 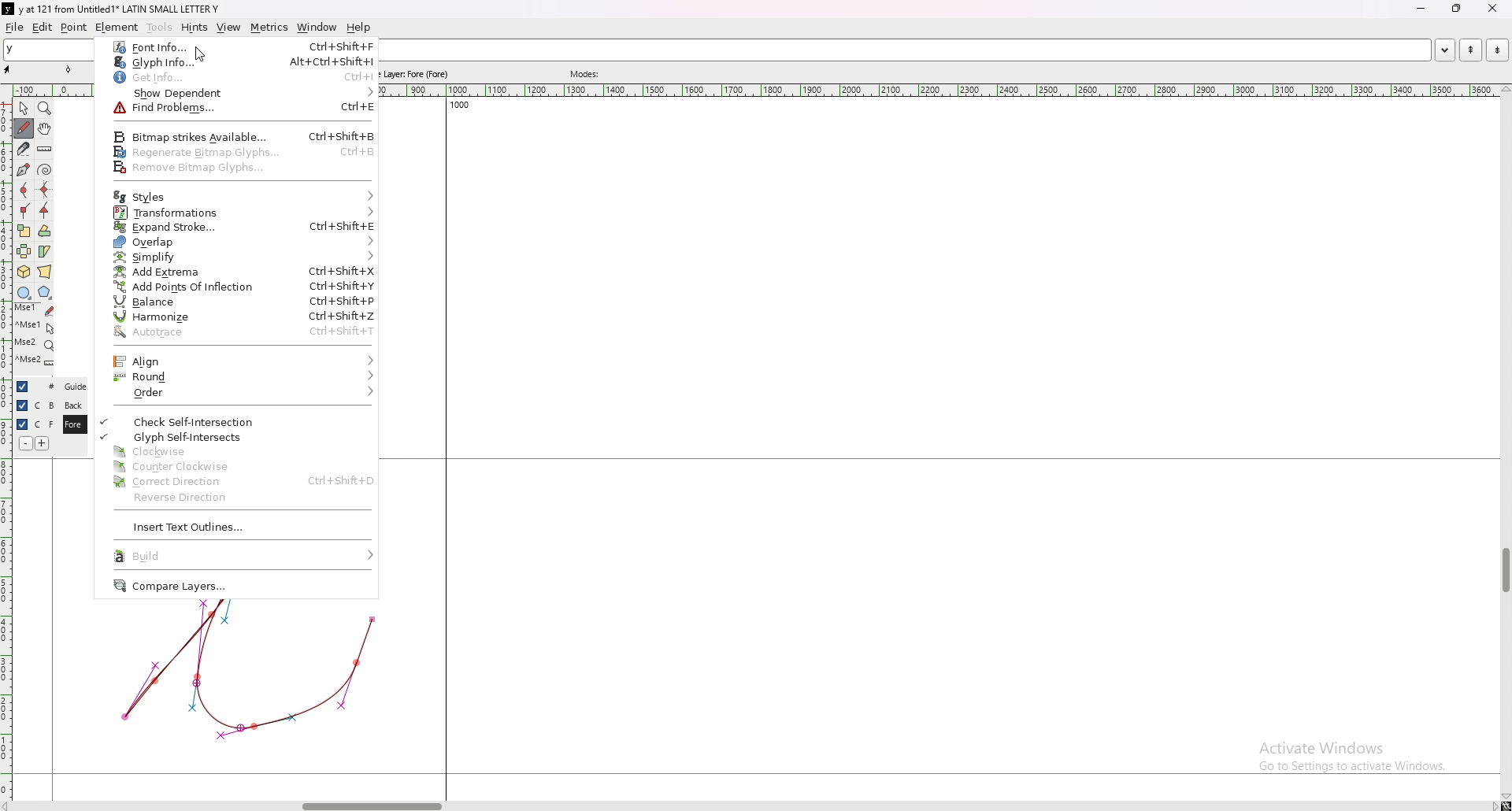 I want to click on order, so click(x=239, y=393).